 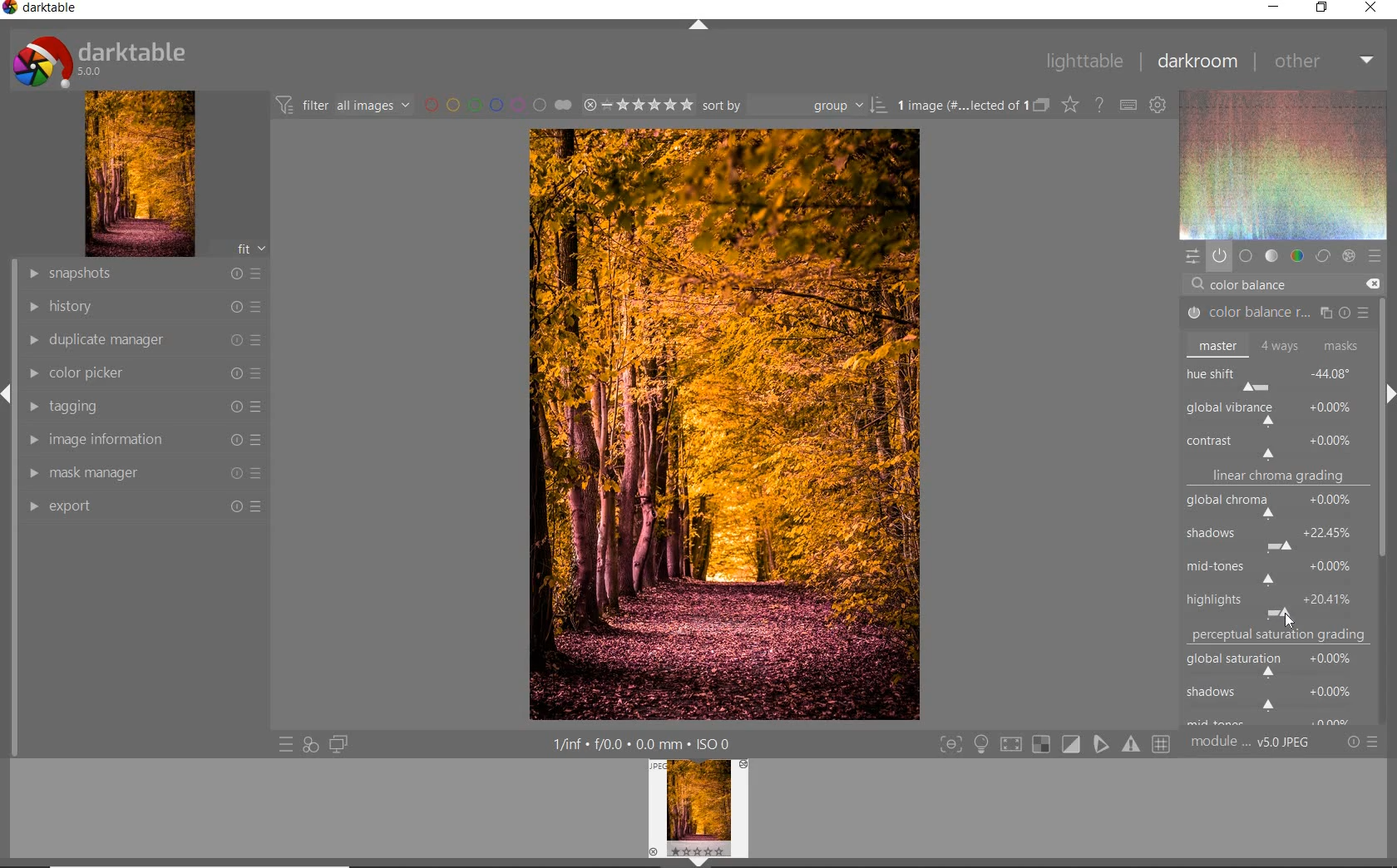 What do you see at coordinates (147, 274) in the screenshot?
I see `snapshots` at bounding box center [147, 274].